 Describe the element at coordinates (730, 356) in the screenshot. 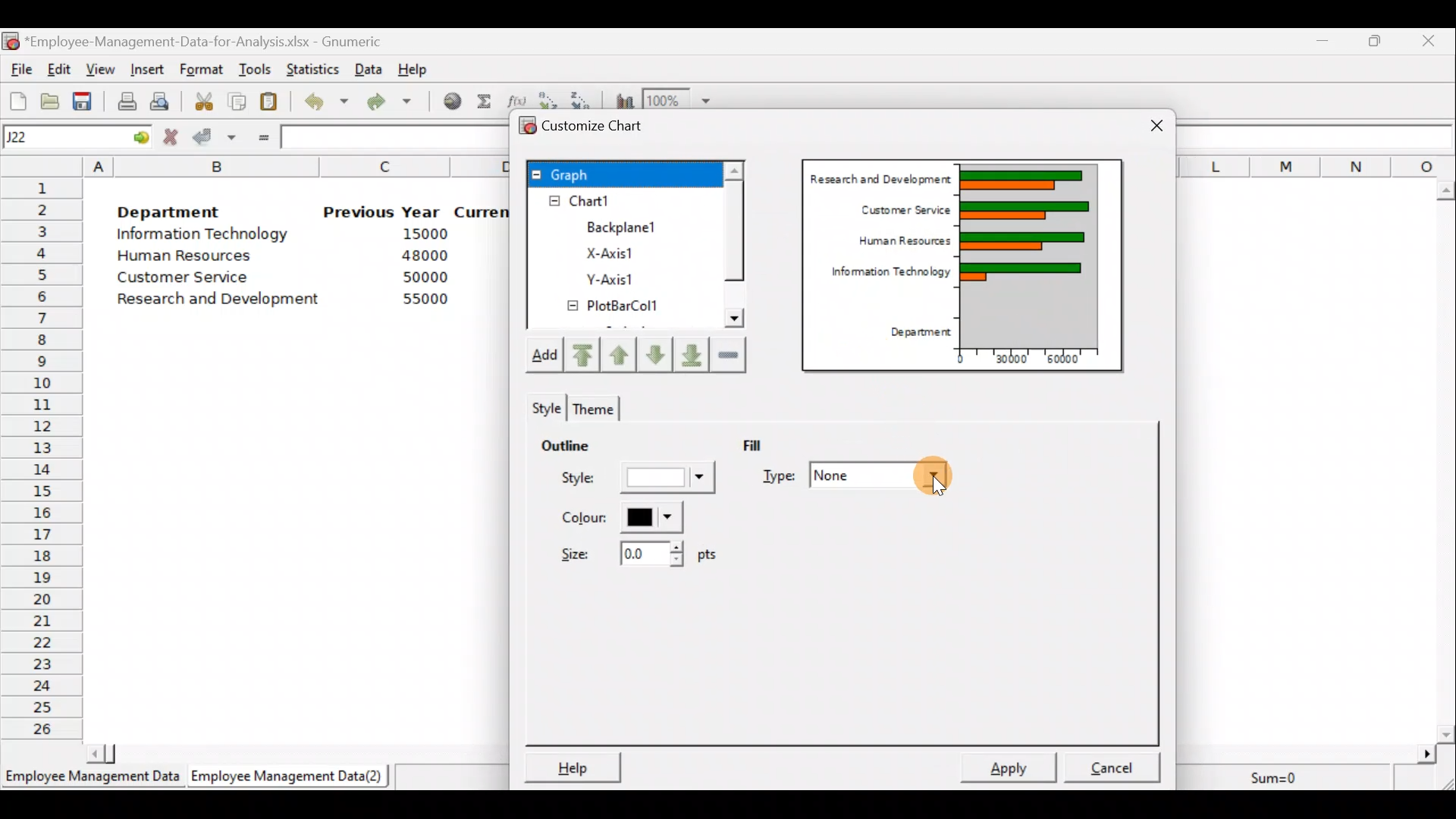

I see `Remove` at that location.